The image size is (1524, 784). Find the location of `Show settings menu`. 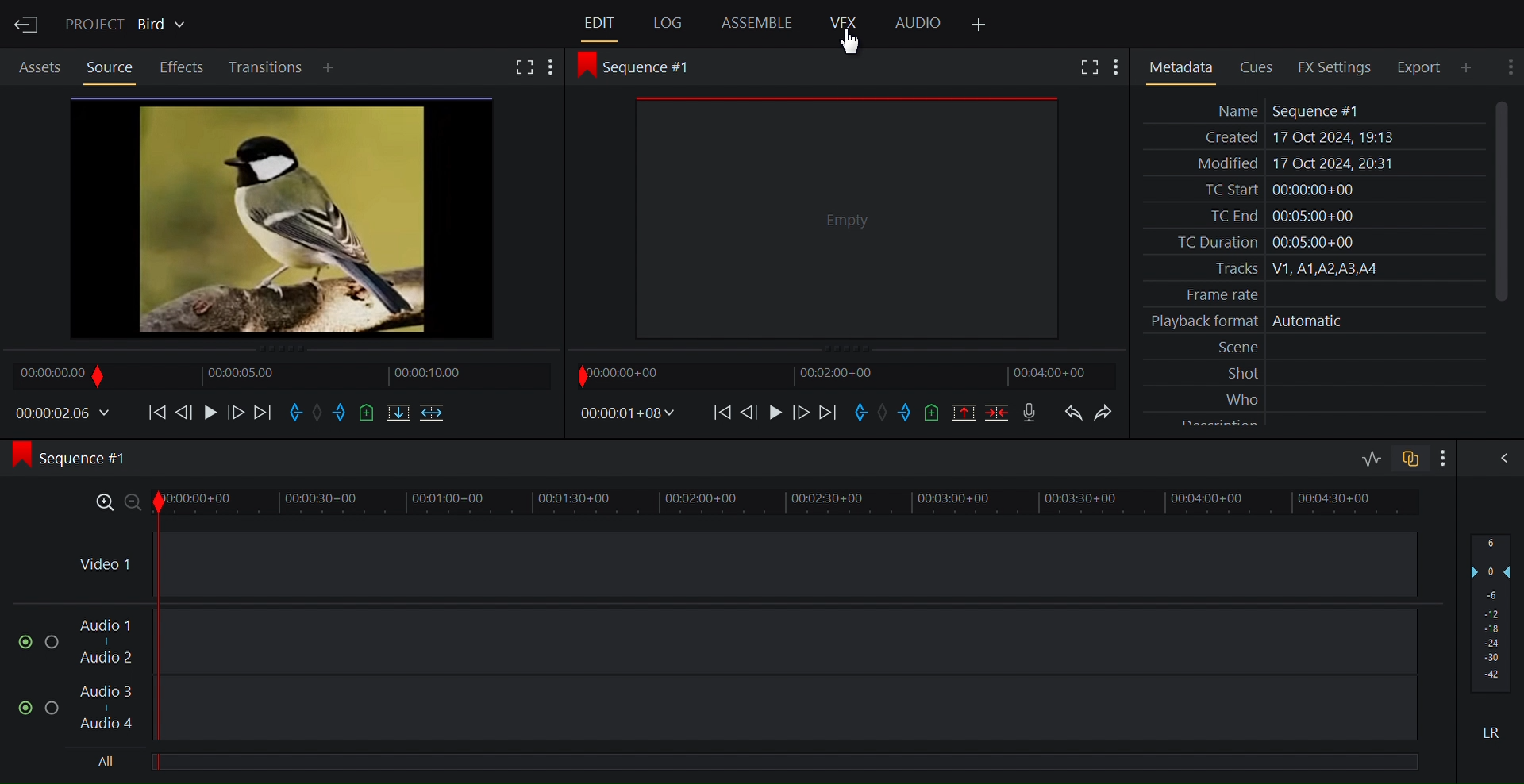

Show settings menu is located at coordinates (1445, 459).